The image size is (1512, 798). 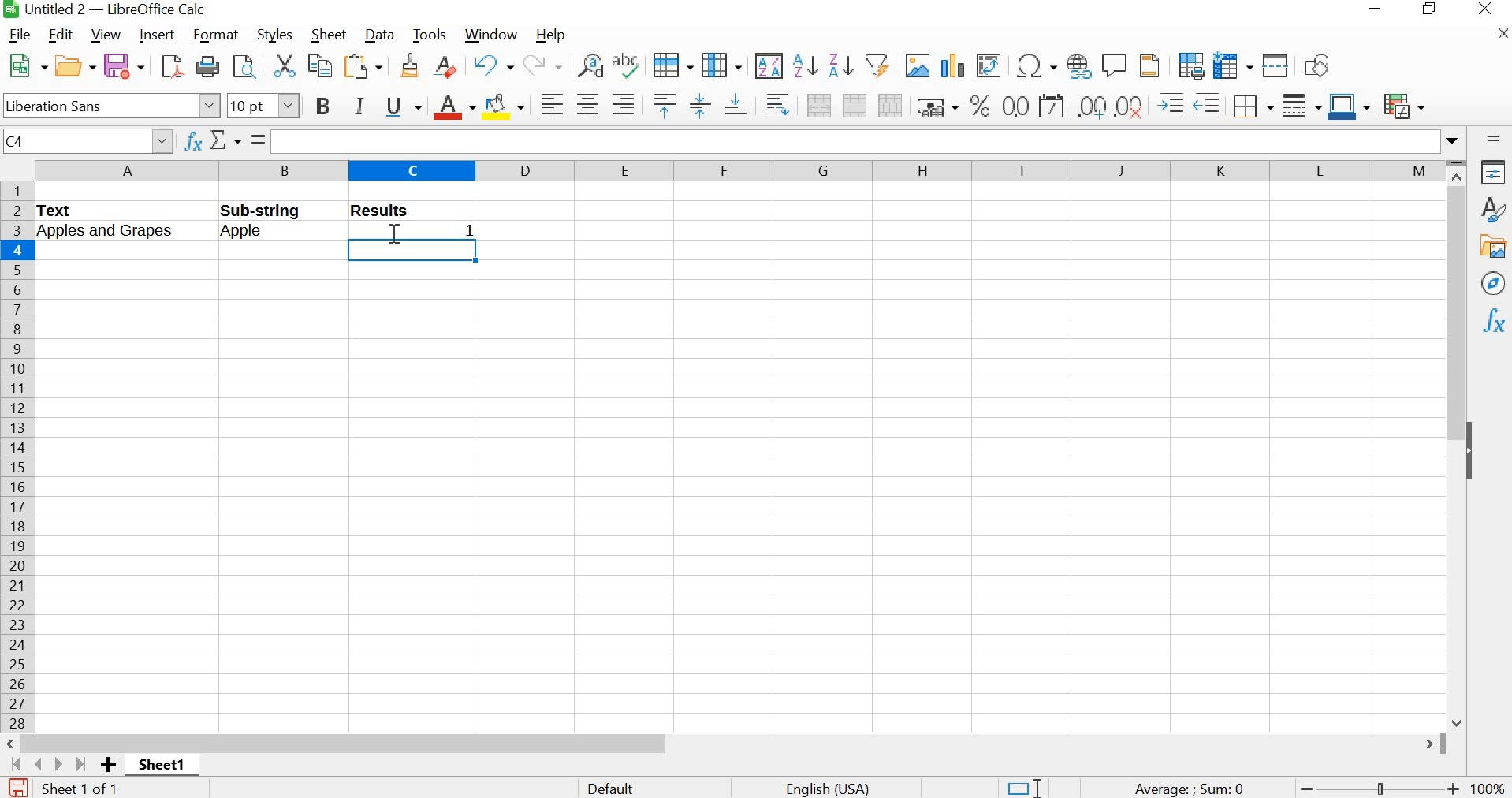 I want to click on sidebar settings, so click(x=1494, y=140).